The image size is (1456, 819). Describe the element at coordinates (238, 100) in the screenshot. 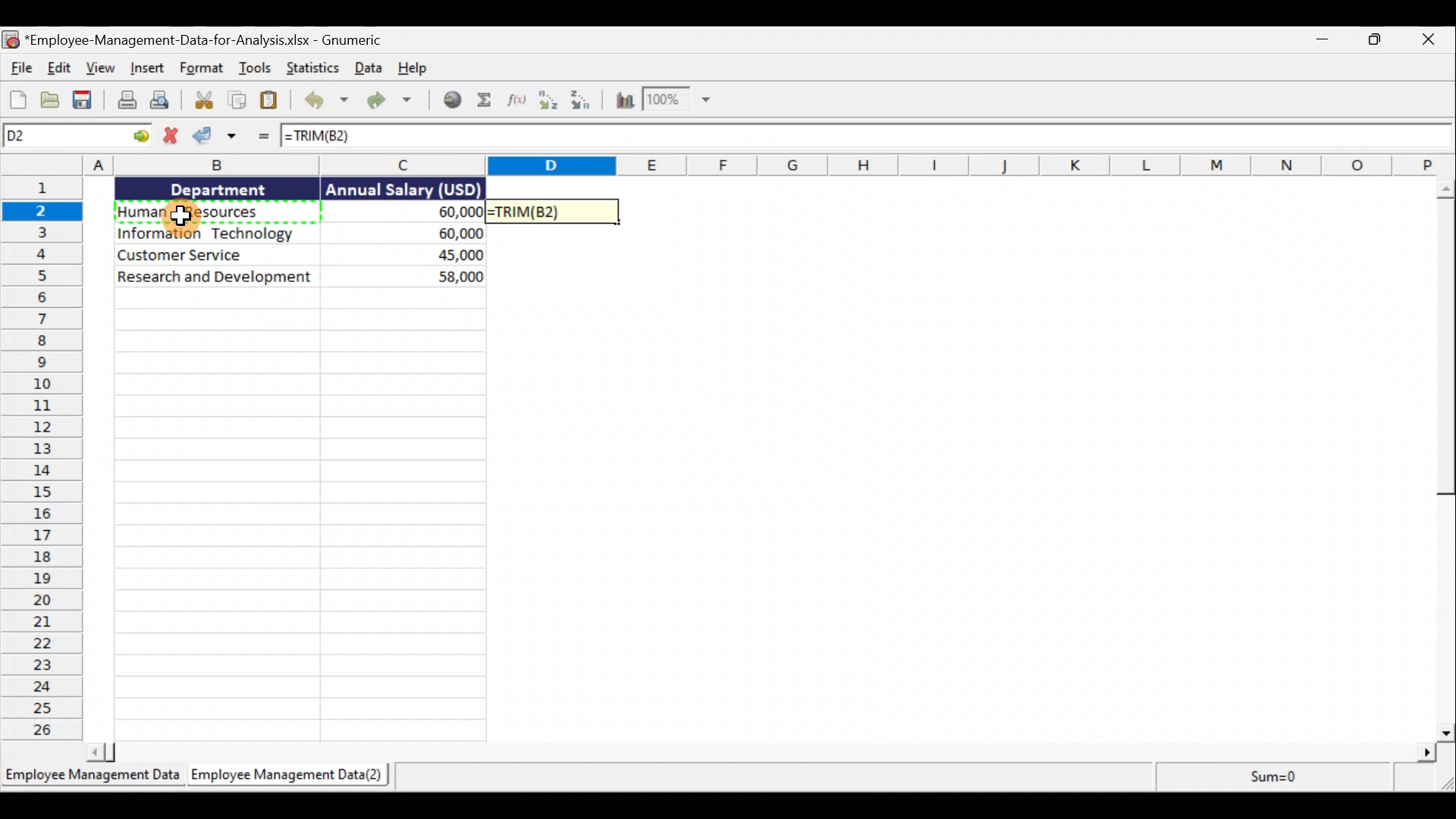

I see `Copy the selection` at that location.